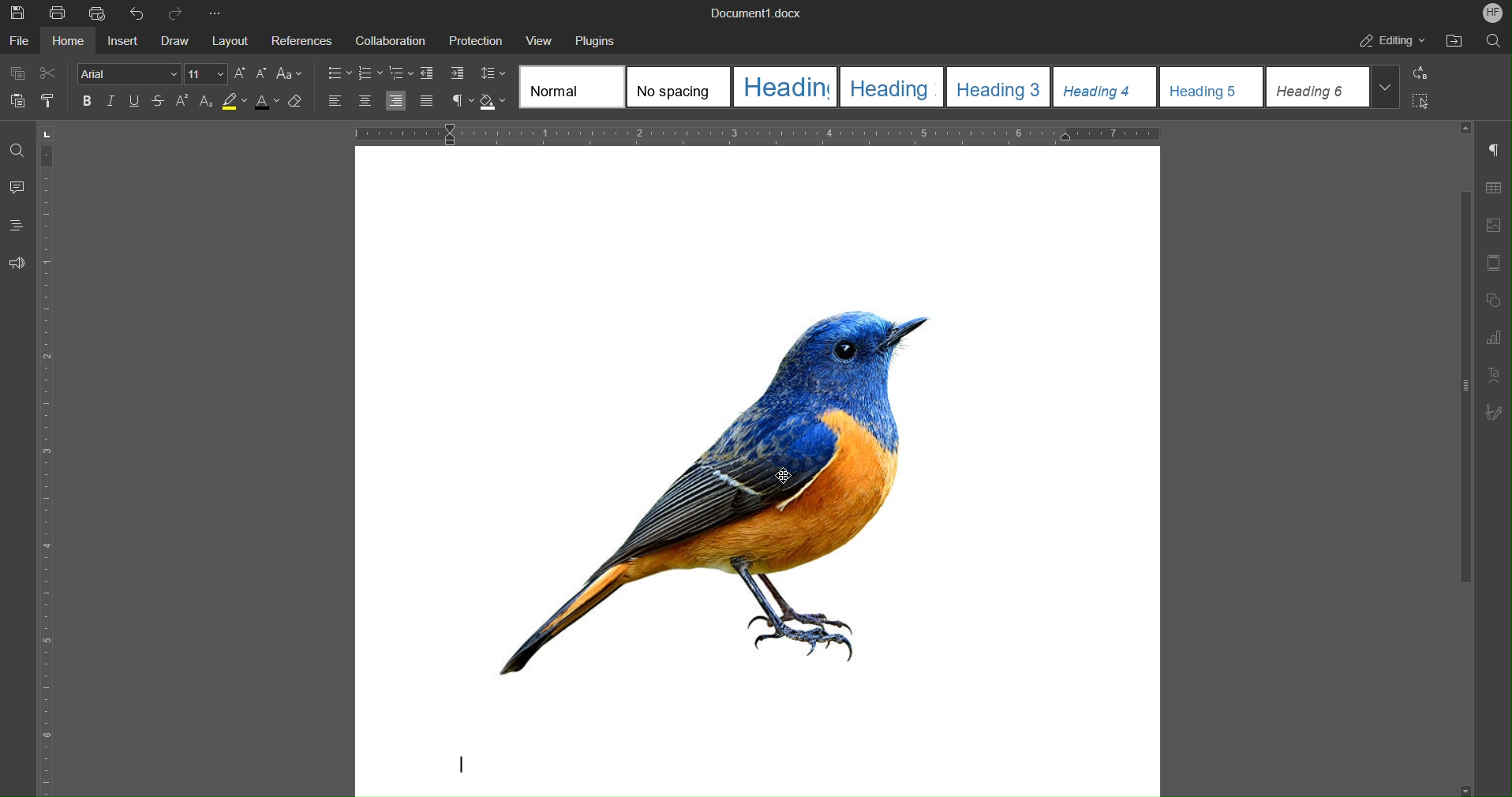 Image resolution: width=1512 pixels, height=797 pixels. Describe the element at coordinates (183, 103) in the screenshot. I see `Superscript` at that location.